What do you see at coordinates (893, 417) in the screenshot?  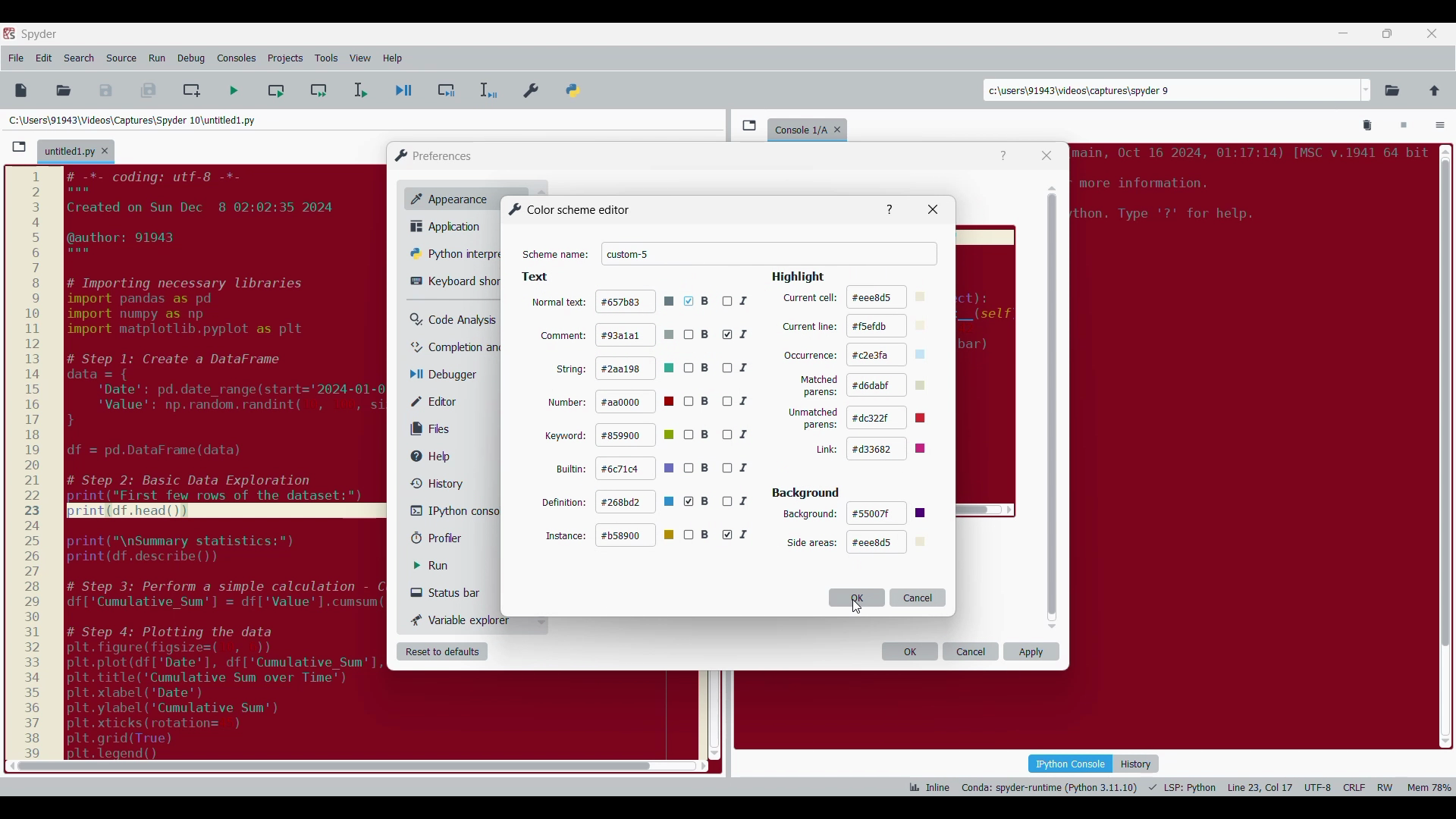 I see `#dc322f` at bounding box center [893, 417].